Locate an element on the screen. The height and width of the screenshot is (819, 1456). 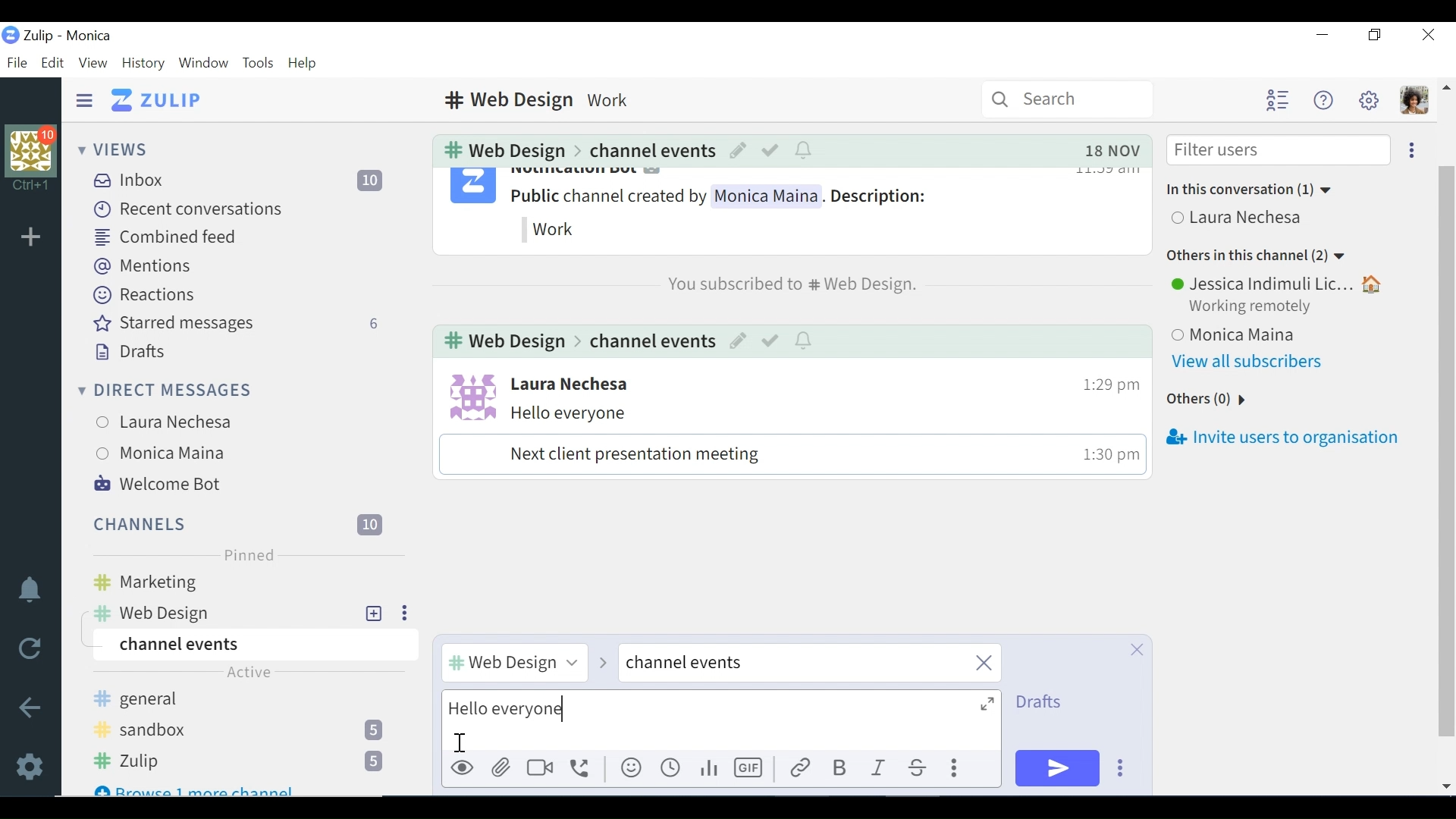
Settings menu is located at coordinates (1369, 99).